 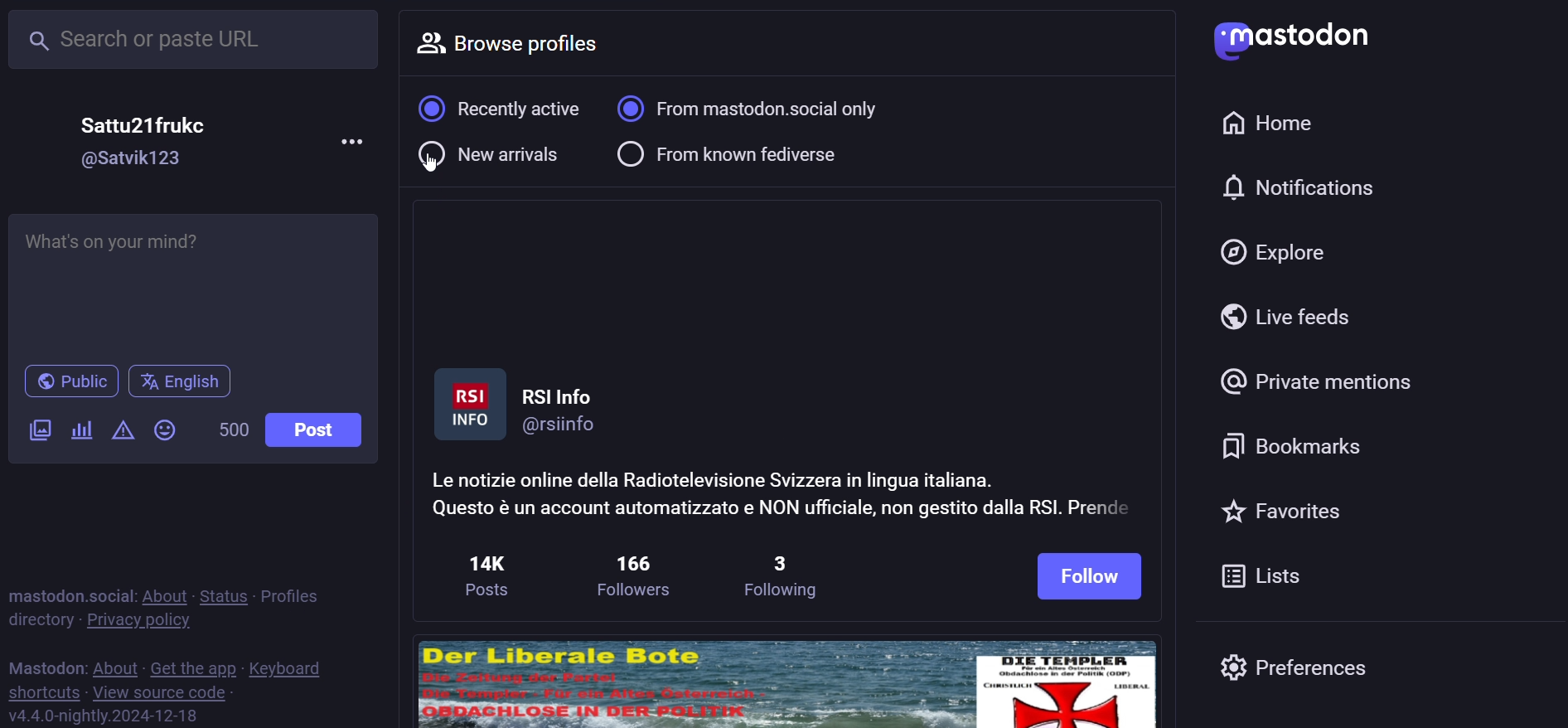 I want to click on profile picture, so click(x=469, y=400).